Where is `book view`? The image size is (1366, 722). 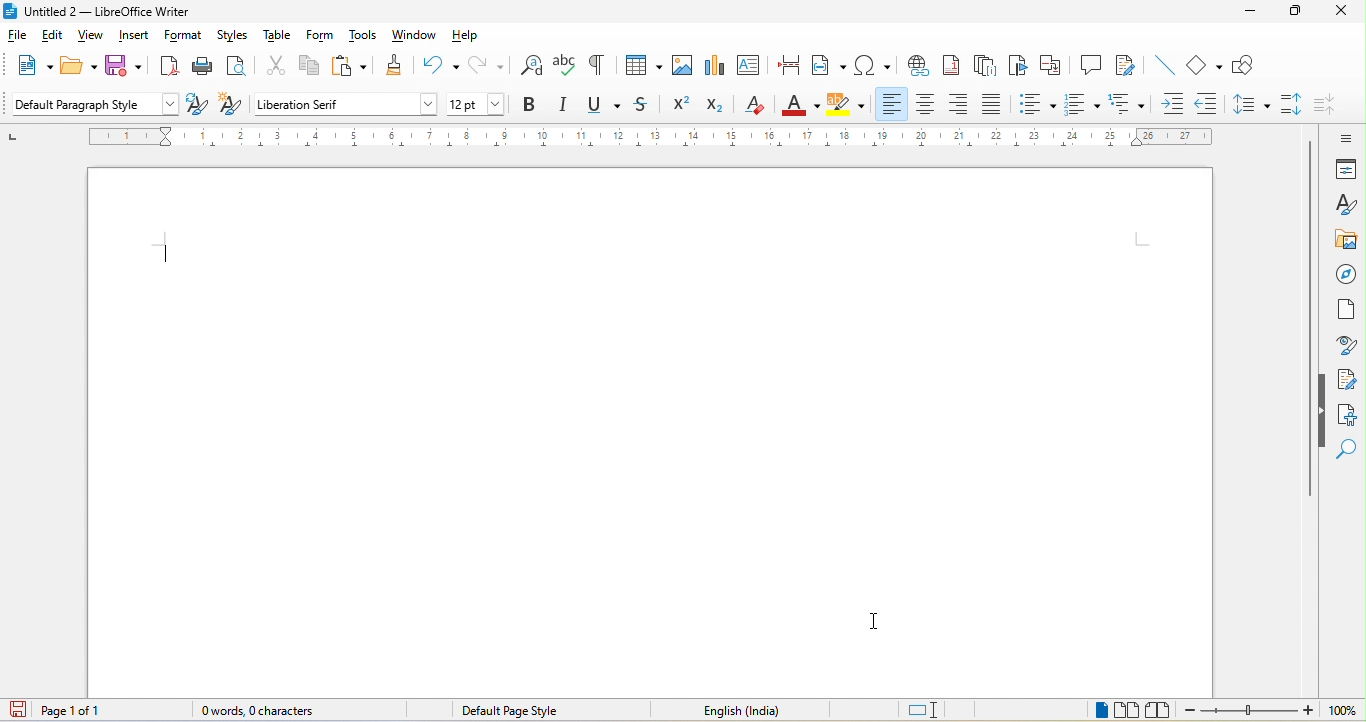 book view is located at coordinates (1162, 710).